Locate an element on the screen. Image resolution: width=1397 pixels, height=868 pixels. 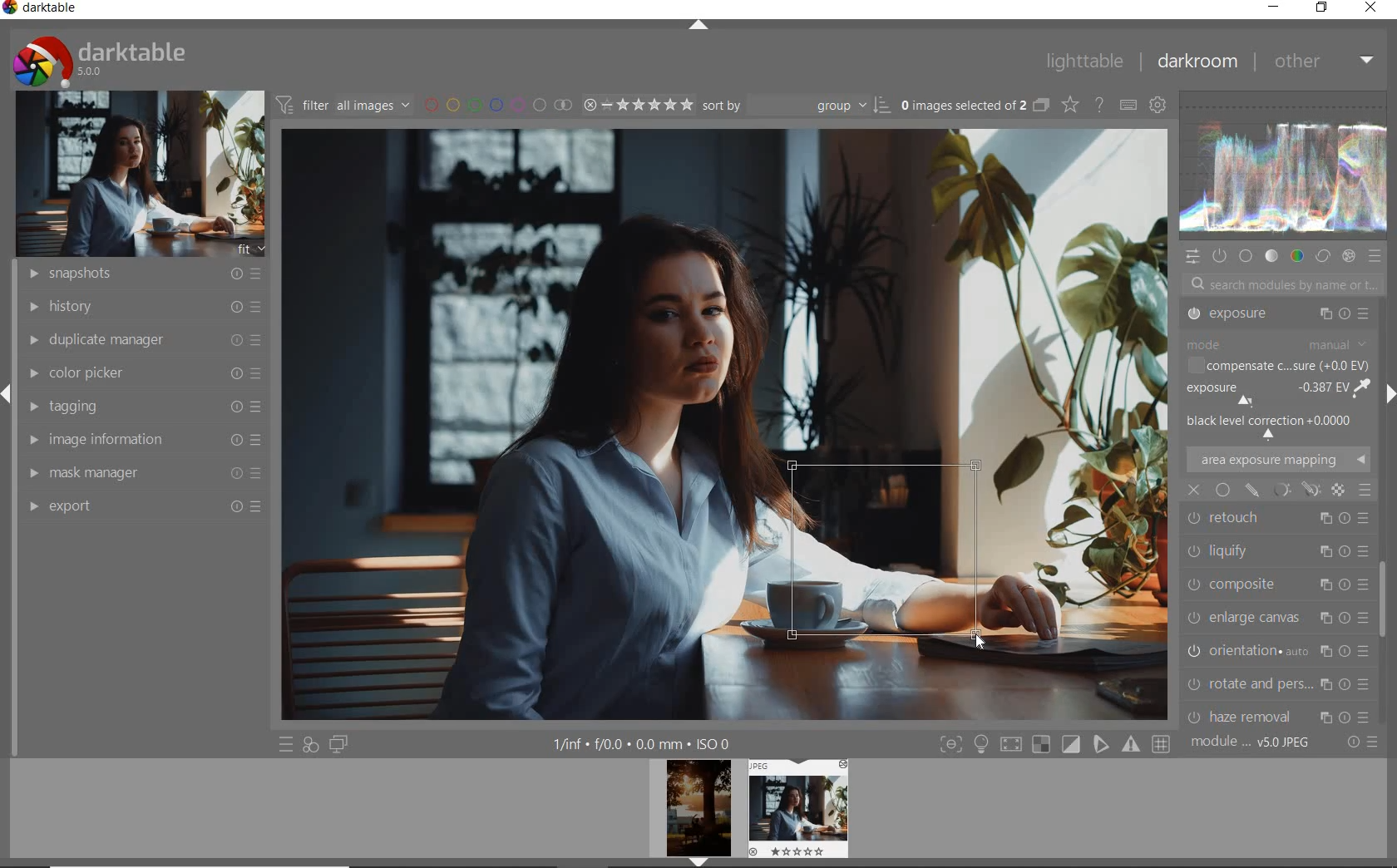
QUICK ACCESS PANEL is located at coordinates (1192, 257).